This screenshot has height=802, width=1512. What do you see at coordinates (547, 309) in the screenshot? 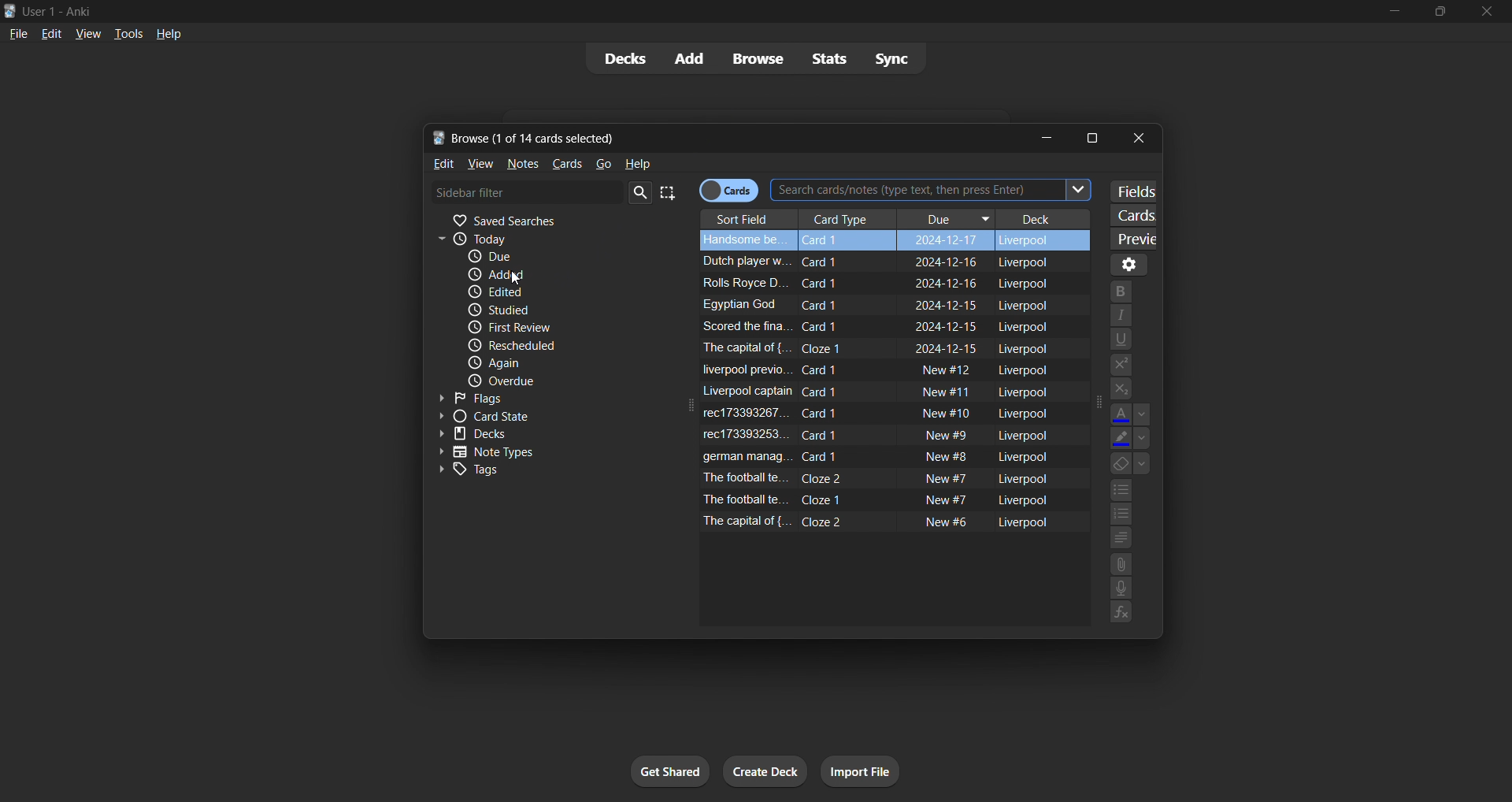
I see `studied` at bounding box center [547, 309].